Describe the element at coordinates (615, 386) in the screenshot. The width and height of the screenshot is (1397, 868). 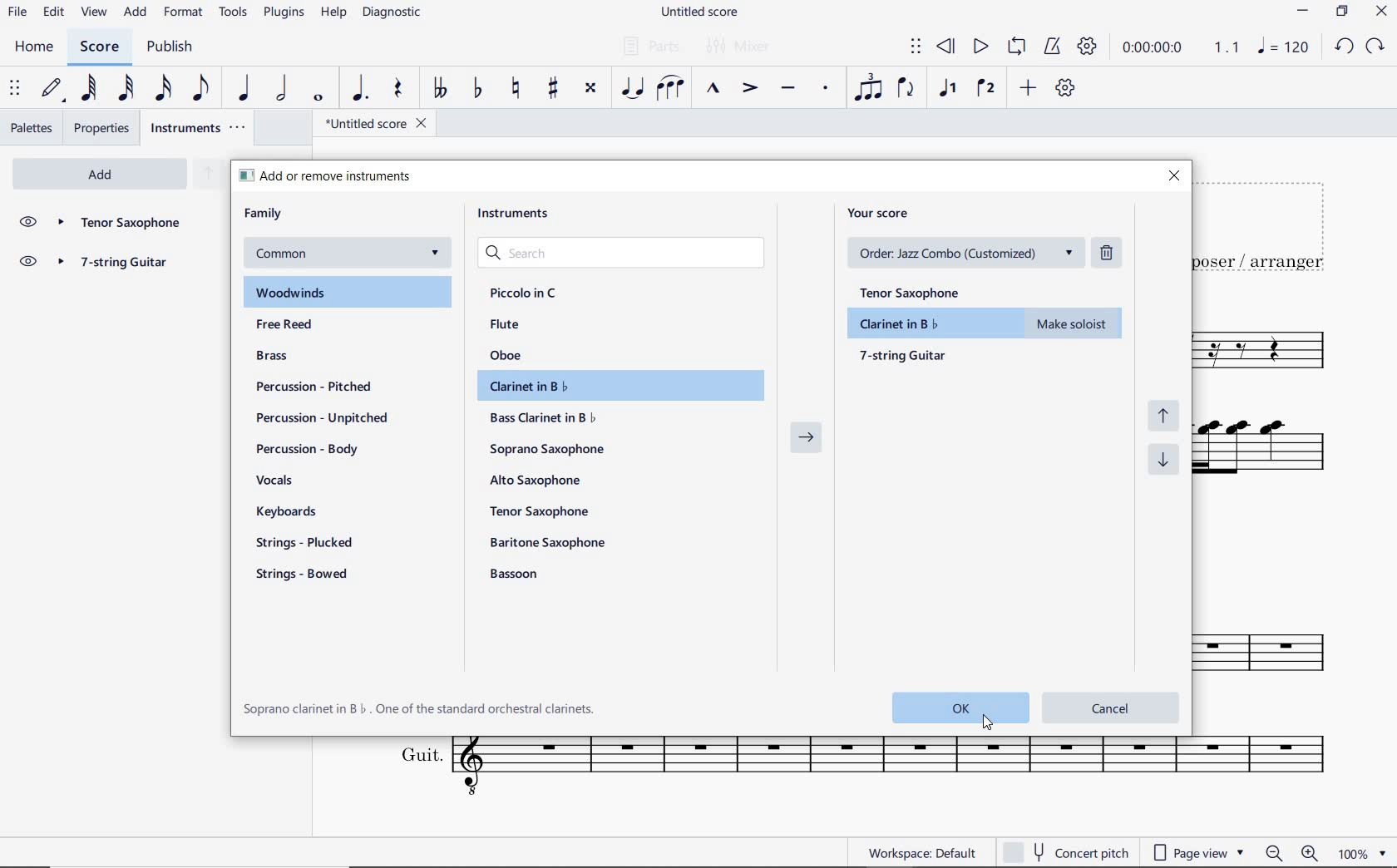
I see `clarinet in b` at that location.